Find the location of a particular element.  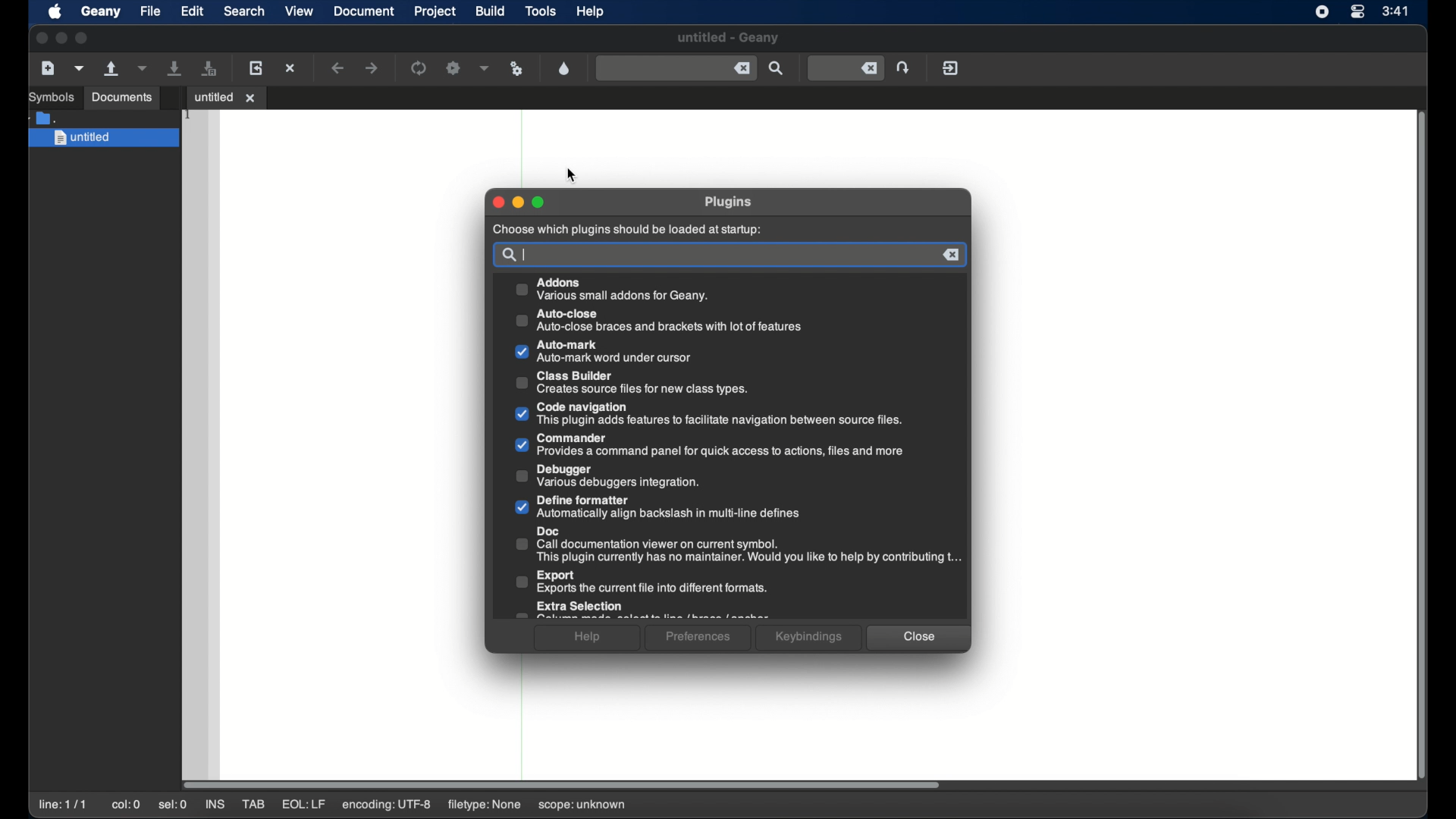

symbols is located at coordinates (50, 97).